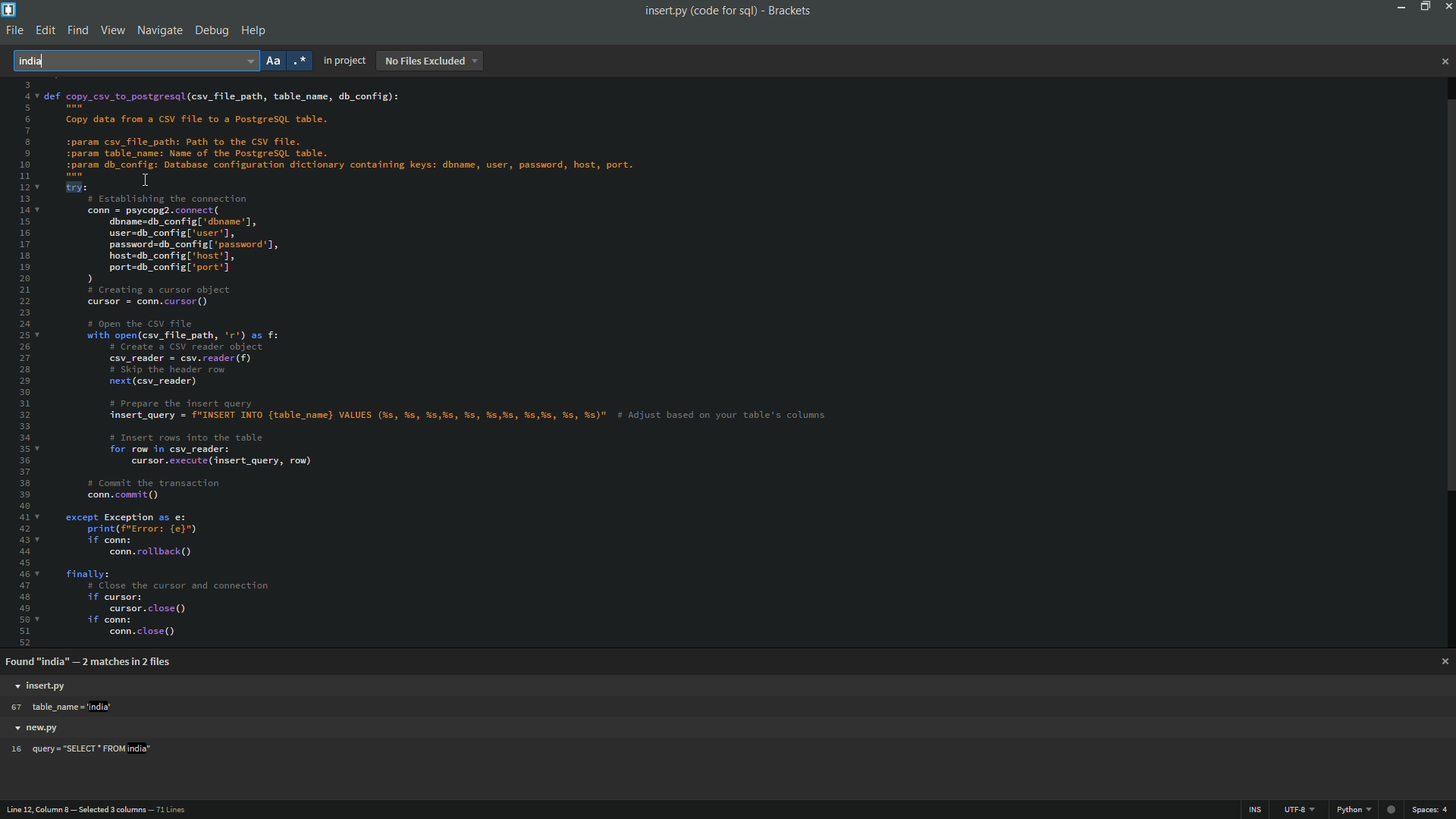 The width and height of the screenshot is (1456, 819). What do you see at coordinates (1444, 663) in the screenshot?
I see `close` at bounding box center [1444, 663].